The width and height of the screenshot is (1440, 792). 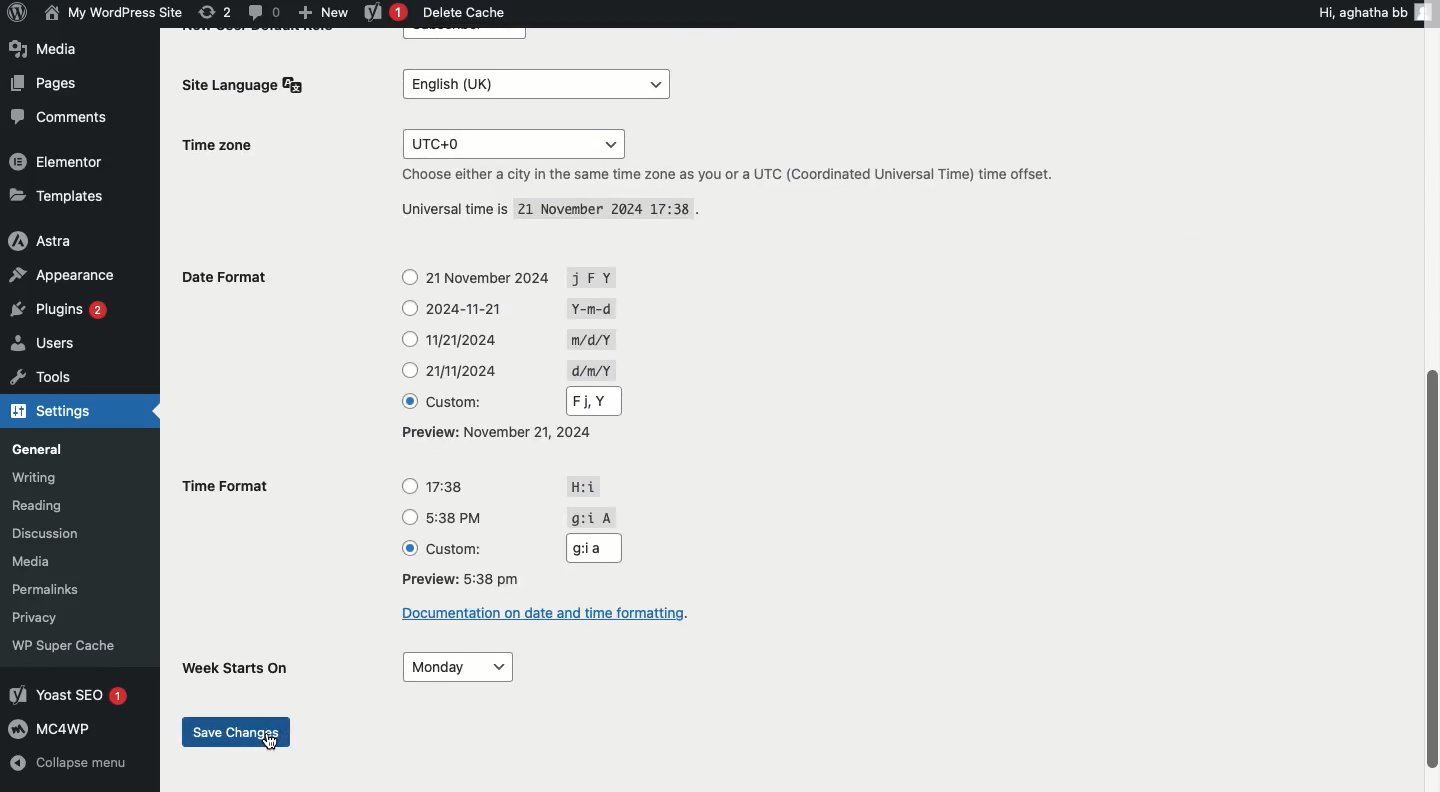 I want to click on Comment (0), so click(x=263, y=11).